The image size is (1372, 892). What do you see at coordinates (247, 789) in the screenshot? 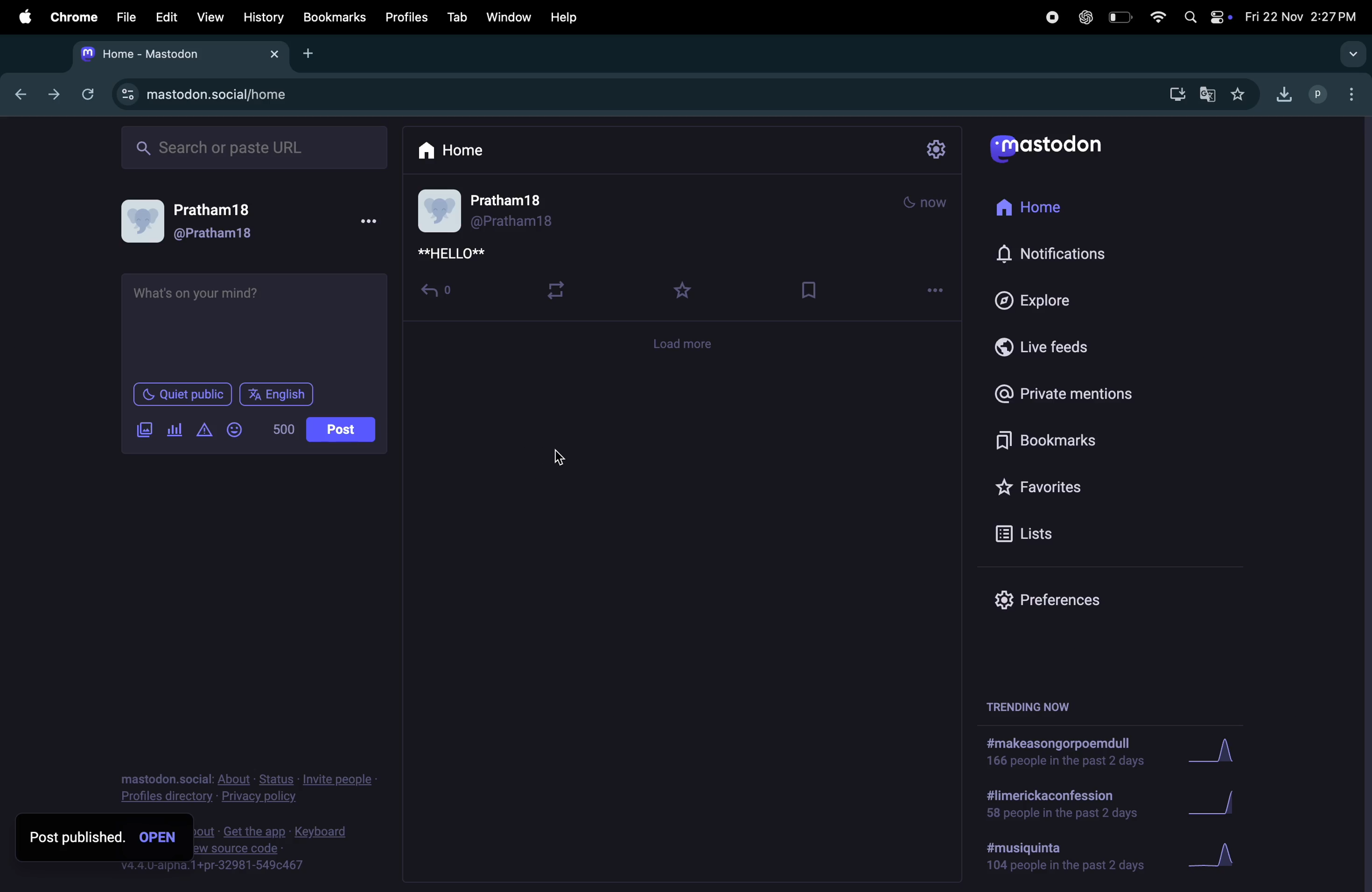
I see `privacy an policy` at bounding box center [247, 789].